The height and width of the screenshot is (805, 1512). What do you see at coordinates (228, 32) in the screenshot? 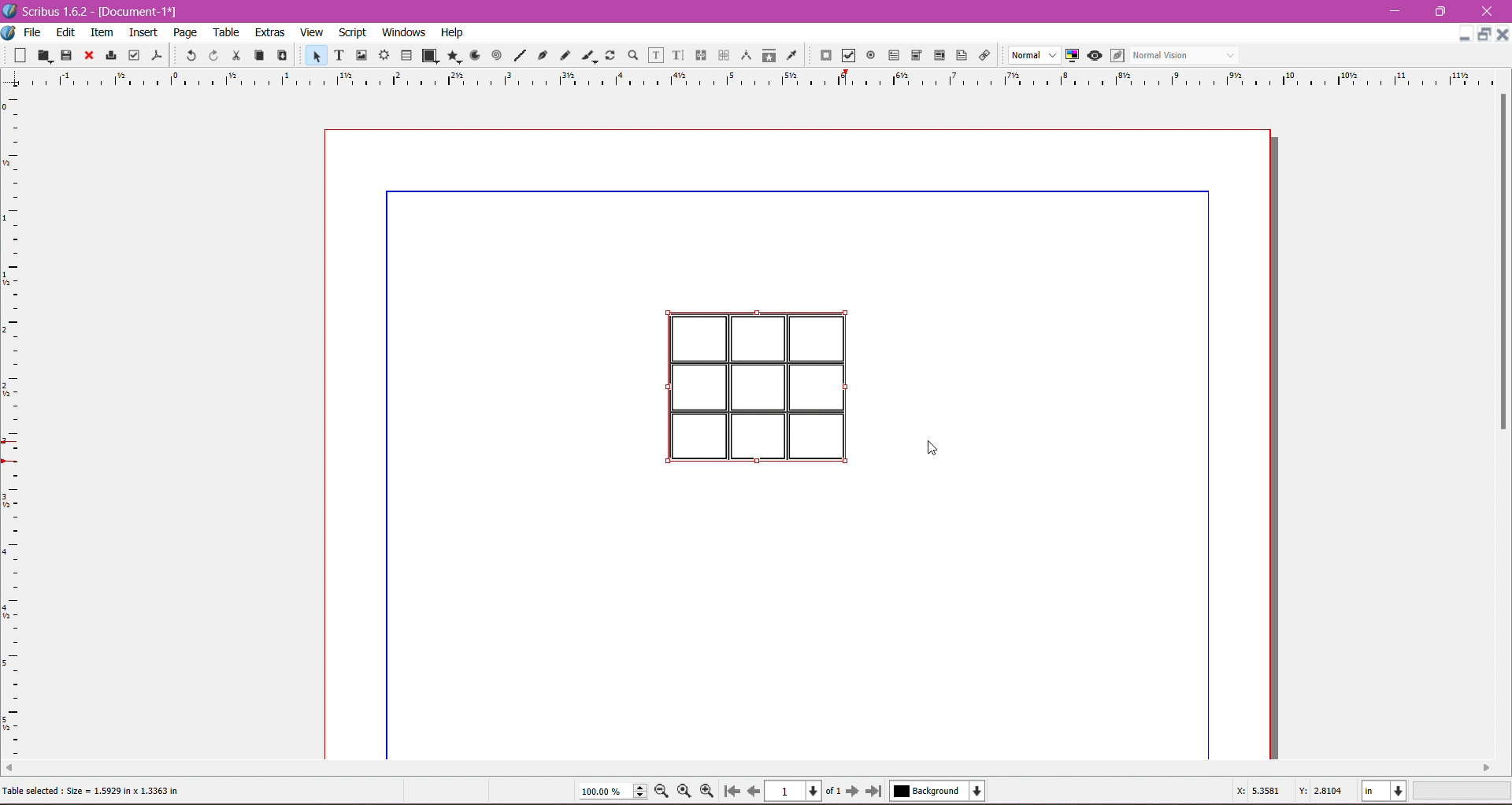
I see `Table` at bounding box center [228, 32].